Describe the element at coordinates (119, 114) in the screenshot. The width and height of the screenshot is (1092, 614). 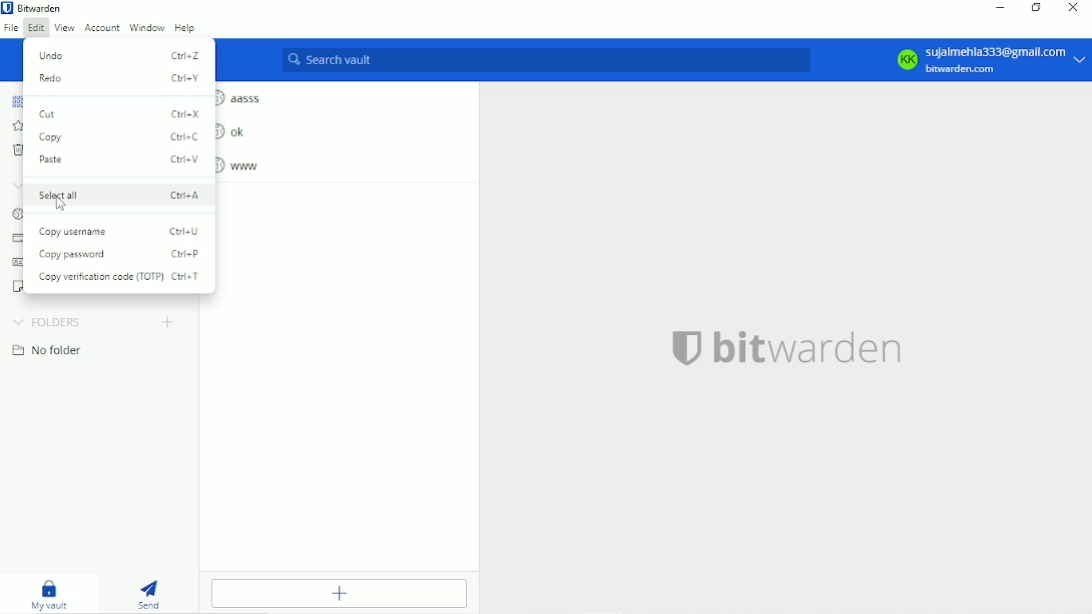
I see `Cut` at that location.